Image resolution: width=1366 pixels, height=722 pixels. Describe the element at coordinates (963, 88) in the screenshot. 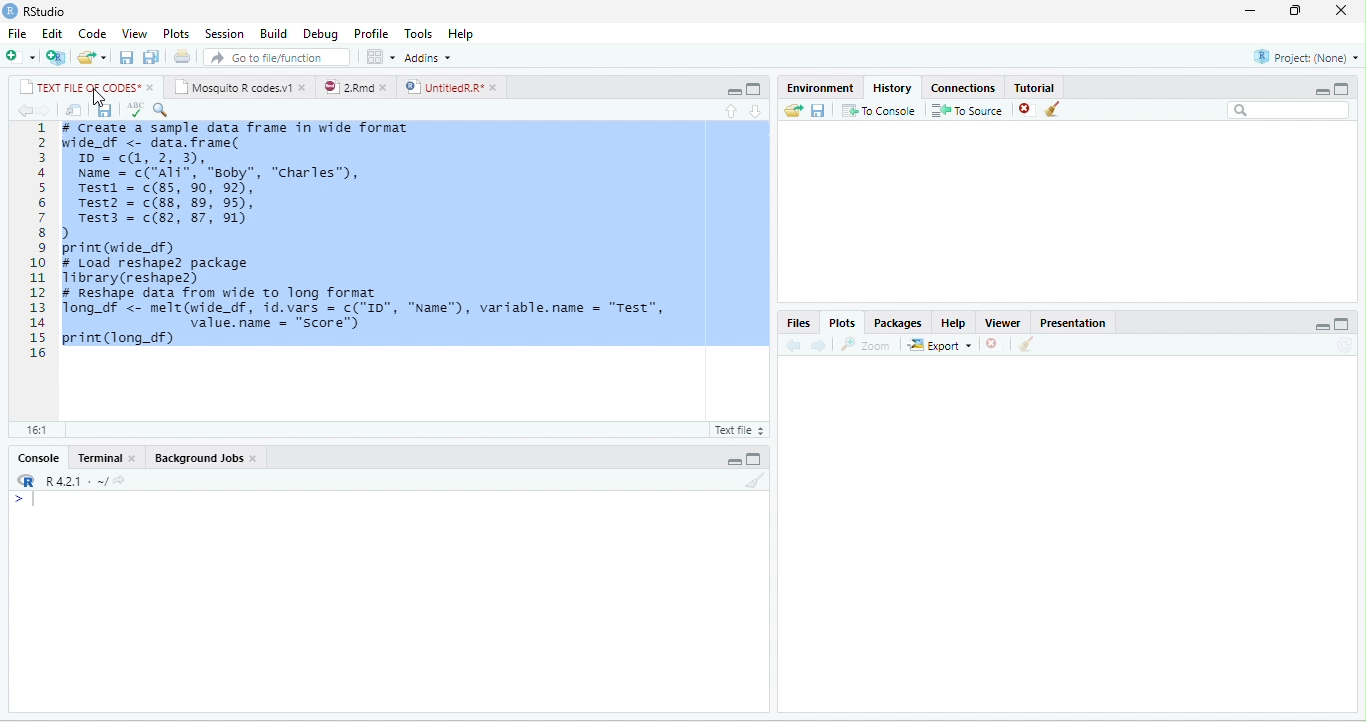

I see `Connections` at that location.